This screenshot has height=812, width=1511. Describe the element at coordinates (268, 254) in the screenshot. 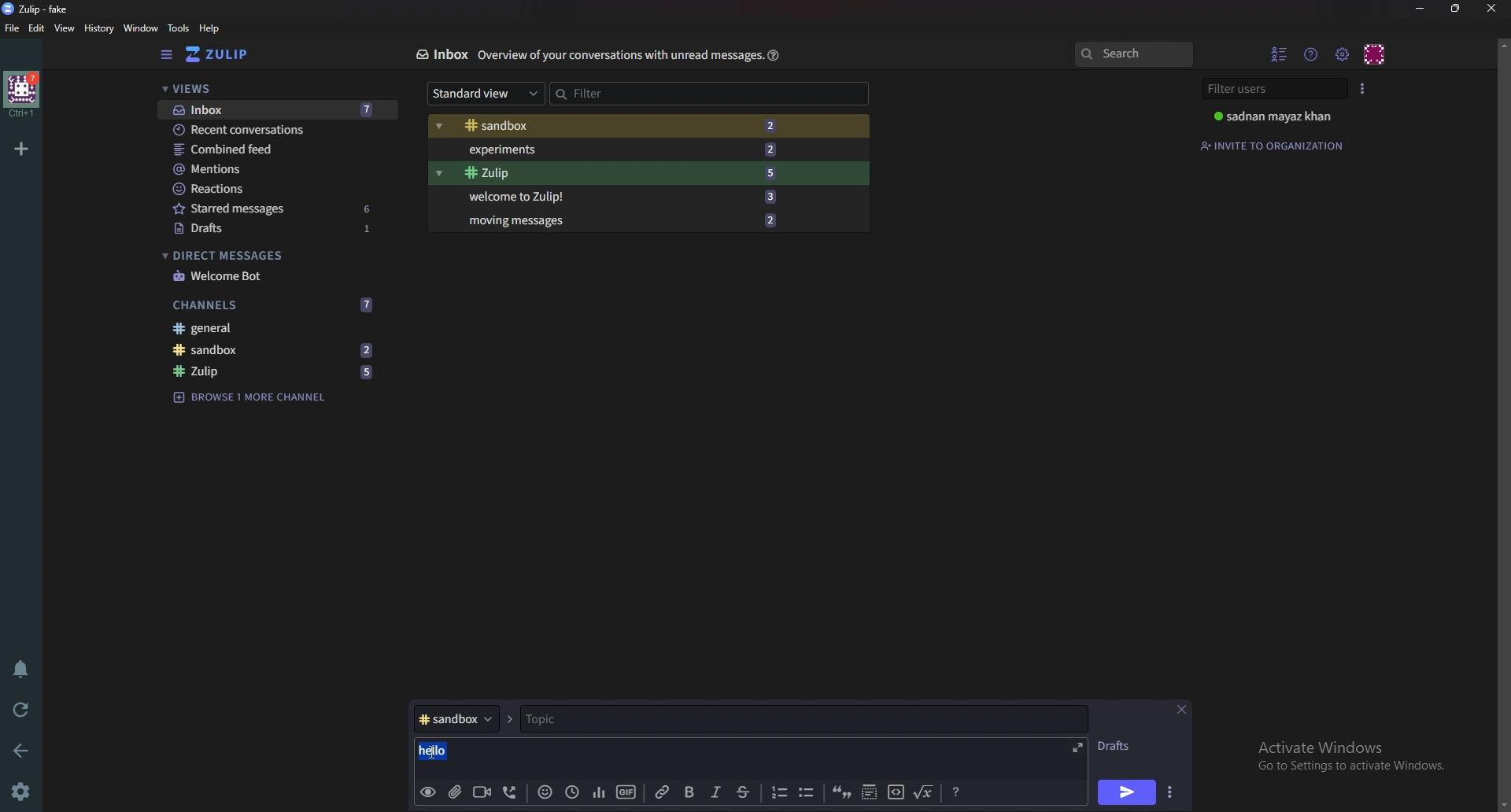

I see `Direct messages` at that location.